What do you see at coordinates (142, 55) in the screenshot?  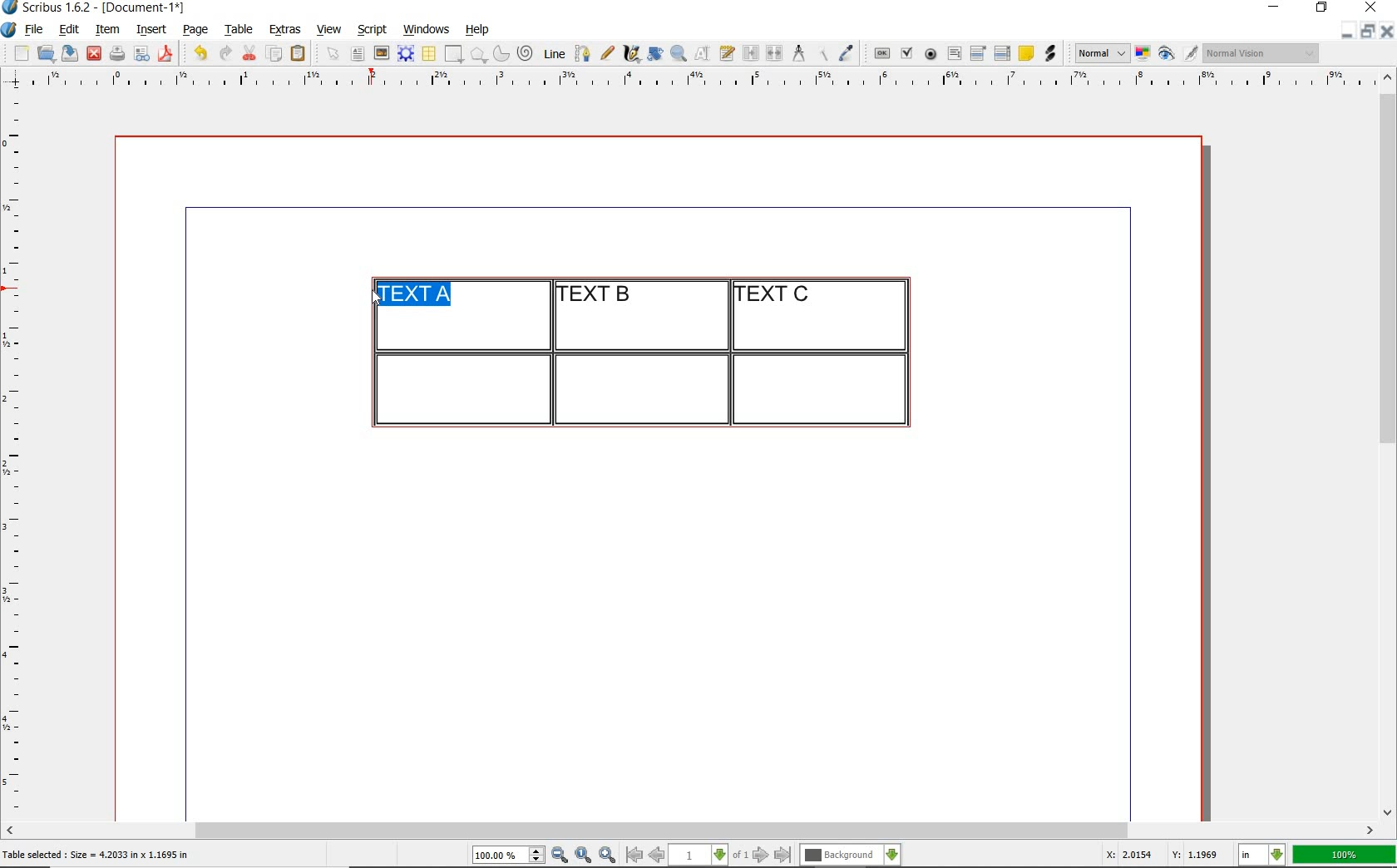 I see `preflight verifier` at bounding box center [142, 55].